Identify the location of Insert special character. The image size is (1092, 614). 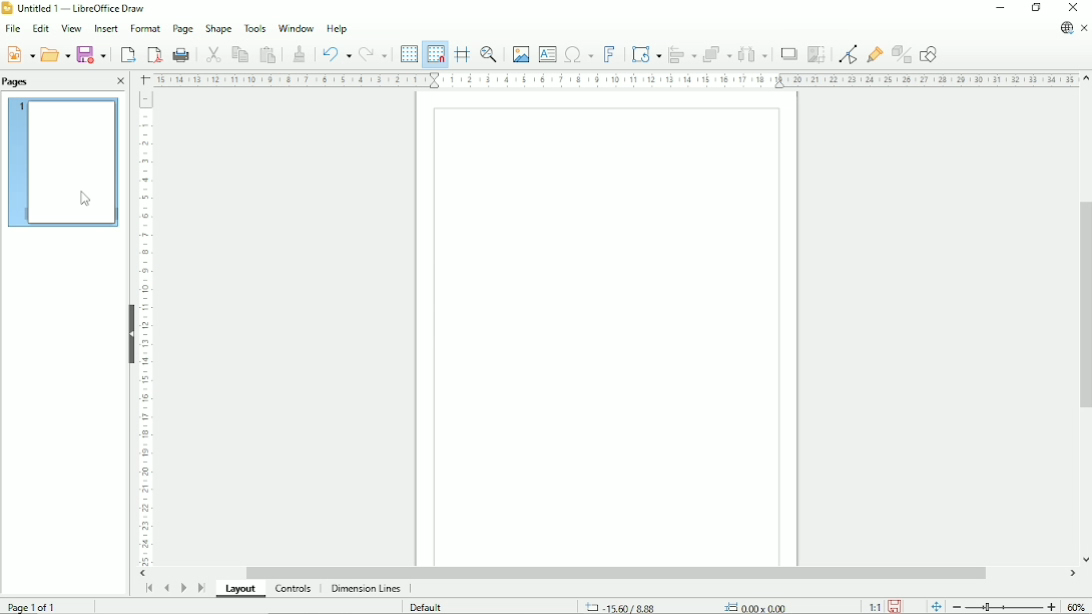
(578, 53).